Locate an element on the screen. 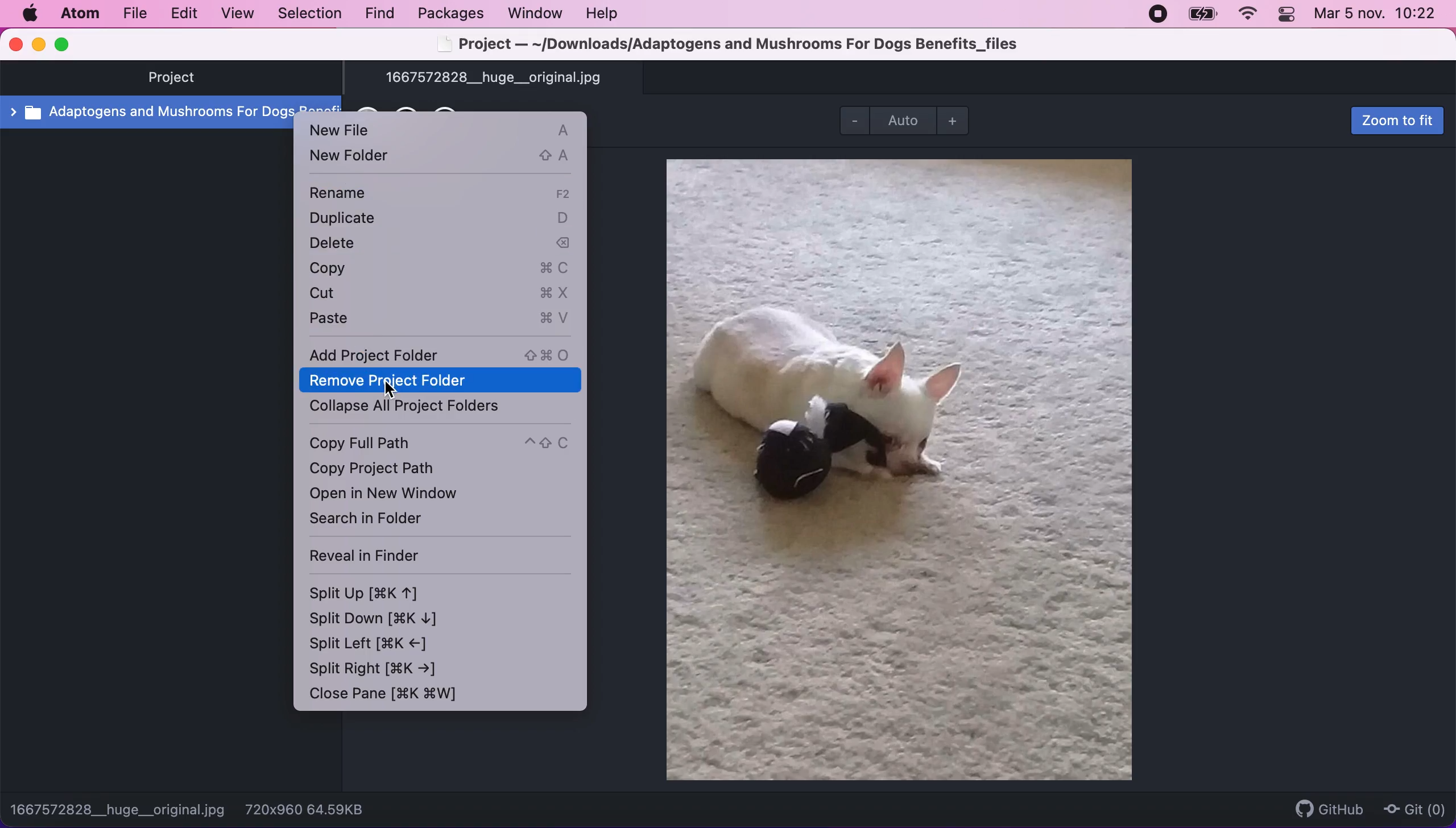  github is located at coordinates (1330, 807).